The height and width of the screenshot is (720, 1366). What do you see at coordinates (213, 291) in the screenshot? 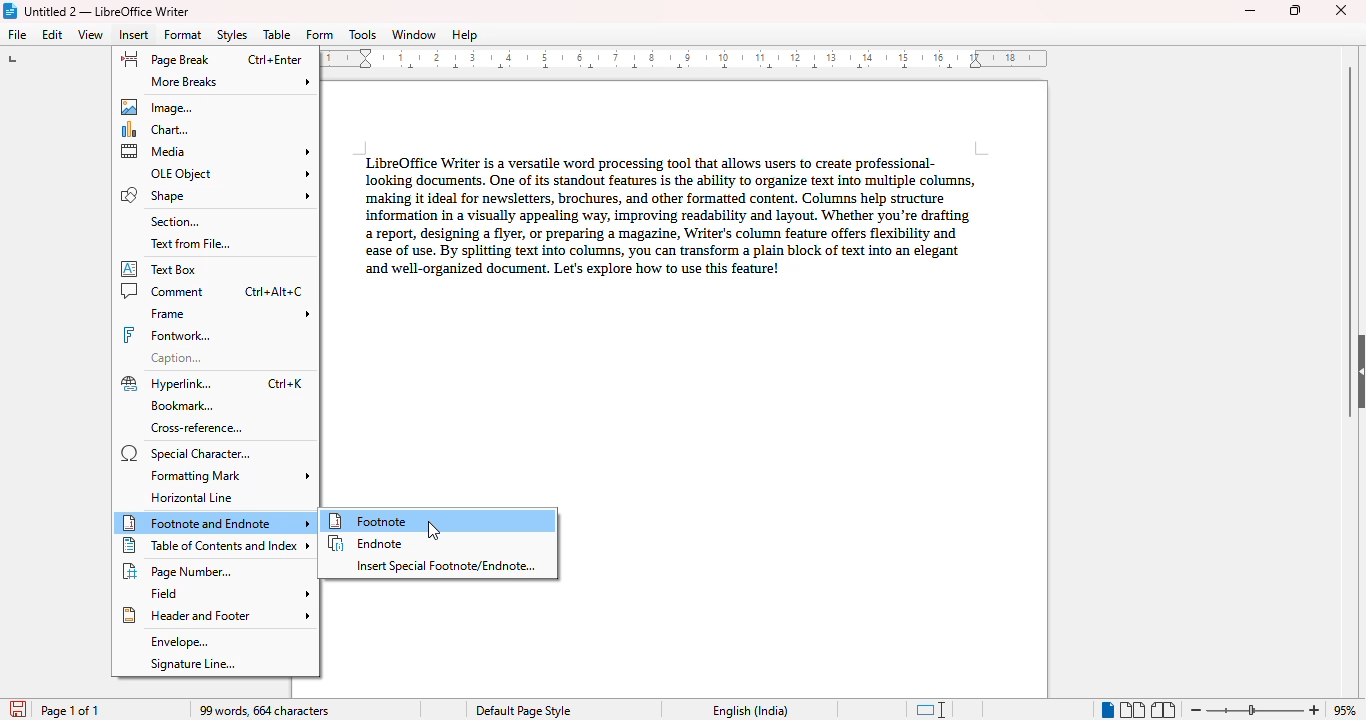
I see `comment` at bounding box center [213, 291].